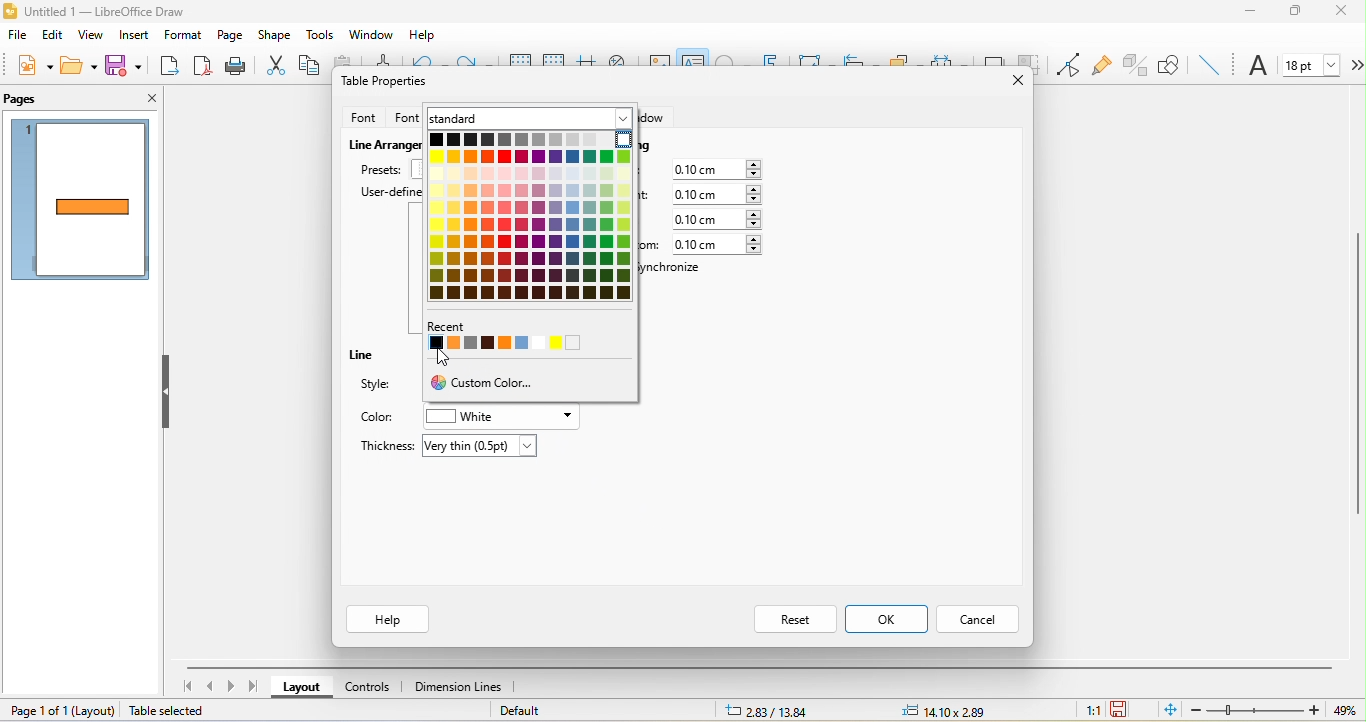  I want to click on presets, so click(381, 170).